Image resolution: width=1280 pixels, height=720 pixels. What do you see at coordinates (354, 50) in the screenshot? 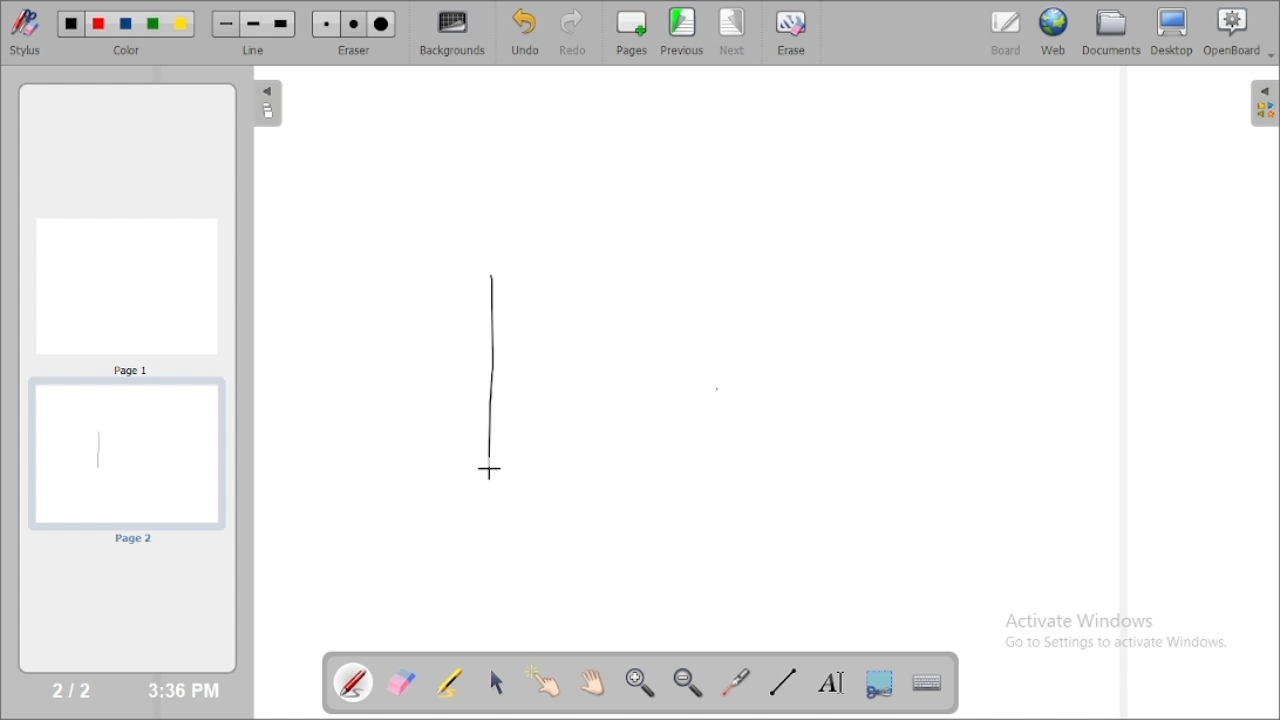
I see `eraser` at bounding box center [354, 50].